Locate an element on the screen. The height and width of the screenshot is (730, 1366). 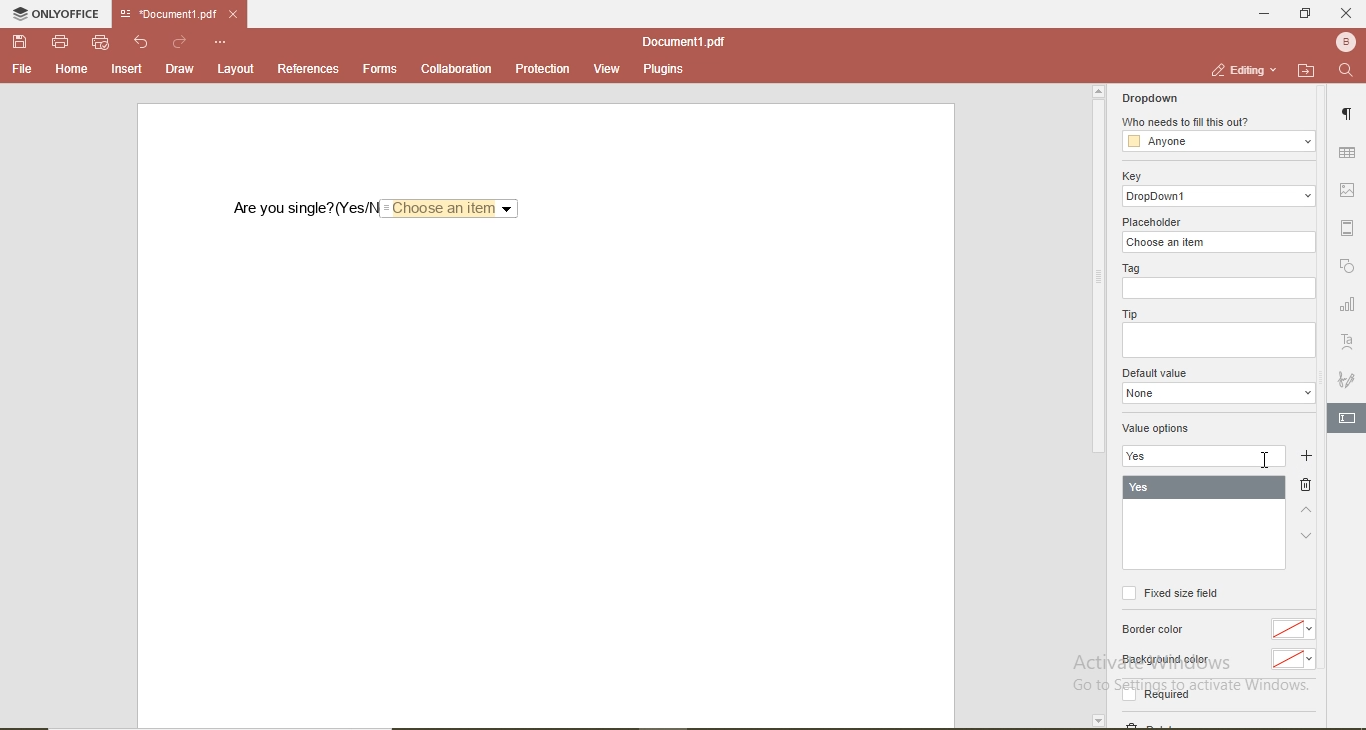
print is located at coordinates (62, 43).